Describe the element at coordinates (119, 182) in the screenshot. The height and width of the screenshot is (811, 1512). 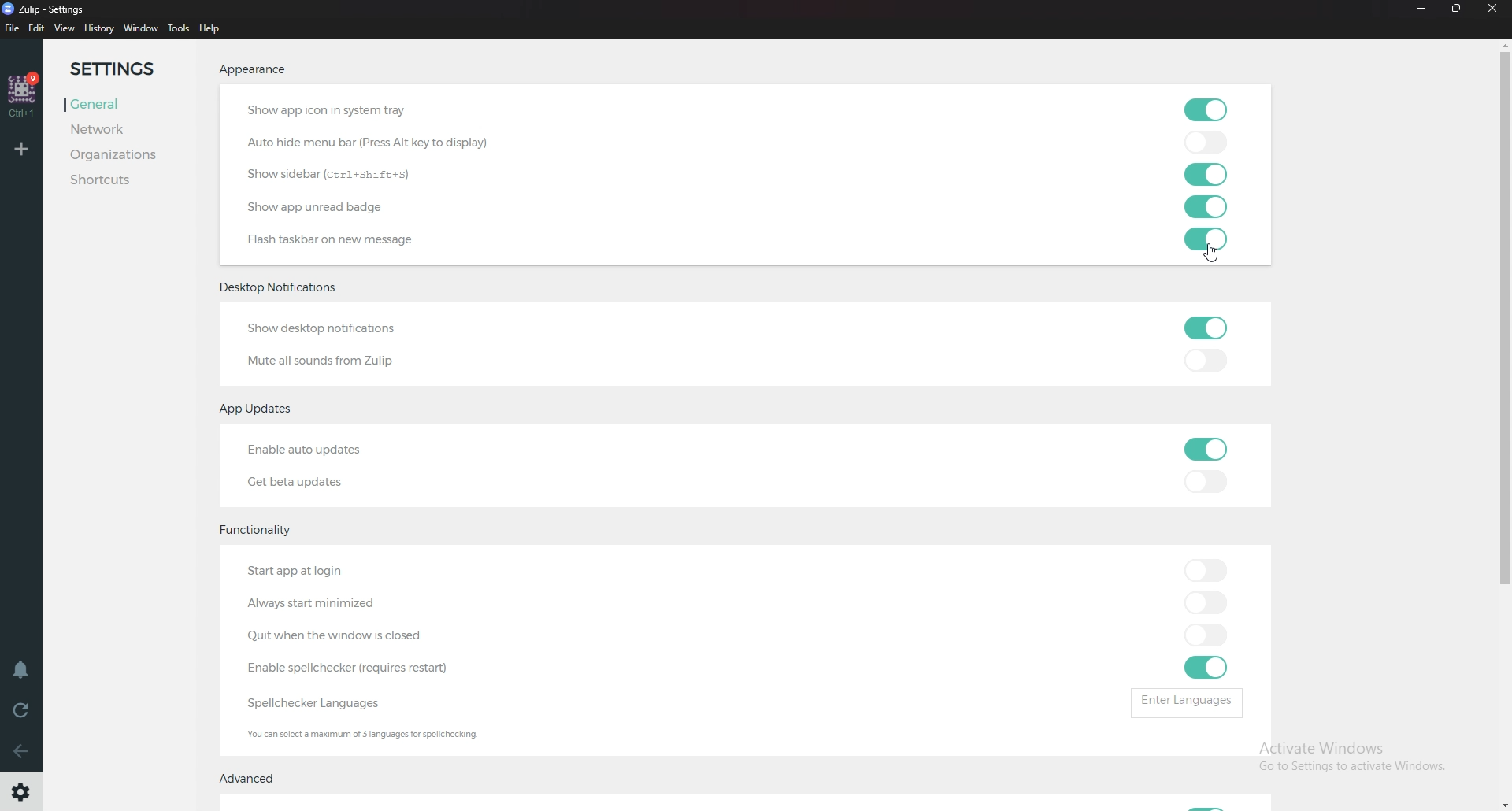
I see `Shortcuts` at that location.